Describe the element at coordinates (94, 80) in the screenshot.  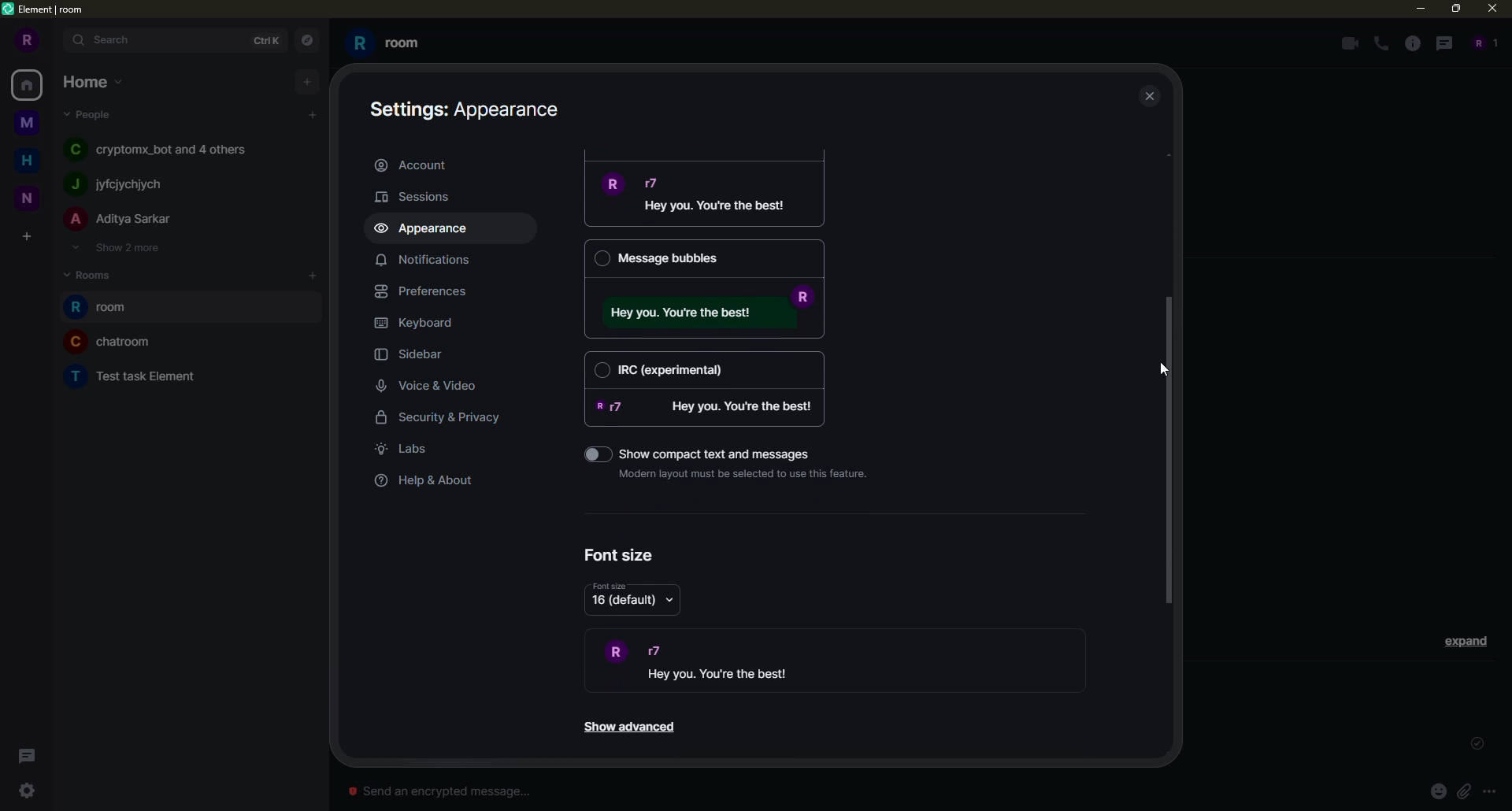
I see `home` at that location.